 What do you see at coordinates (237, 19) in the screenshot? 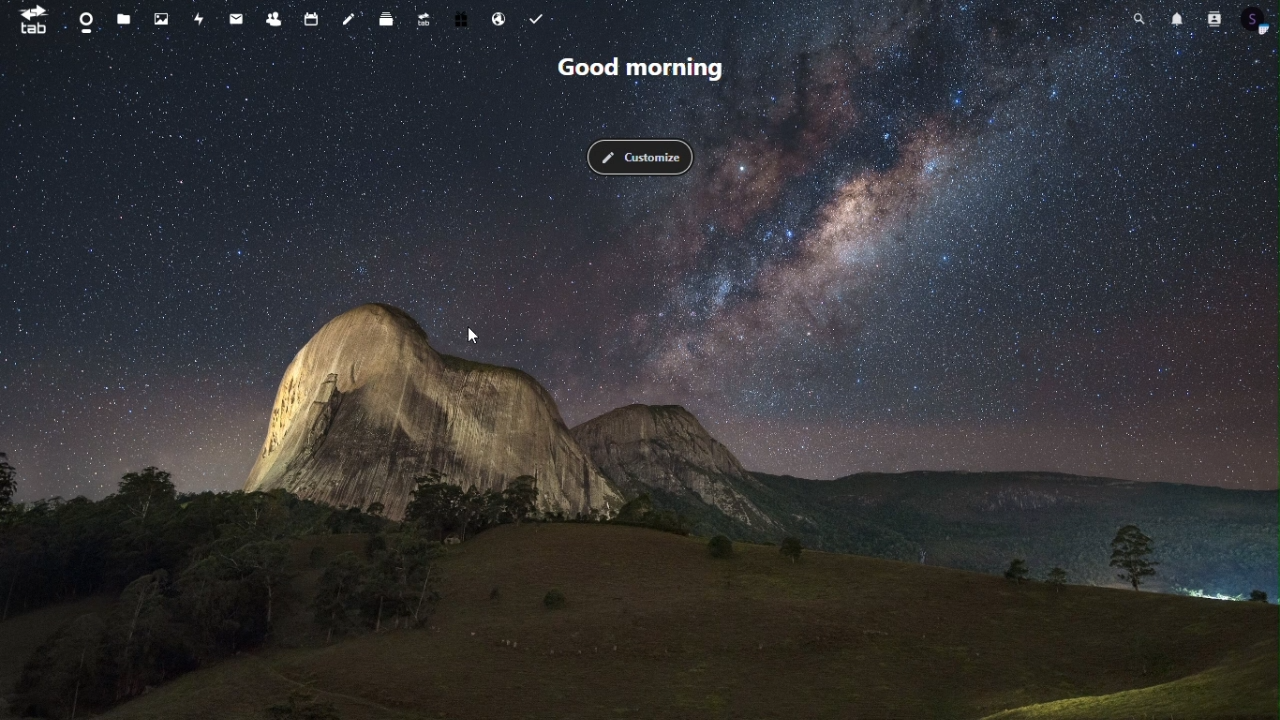
I see `mail` at bounding box center [237, 19].